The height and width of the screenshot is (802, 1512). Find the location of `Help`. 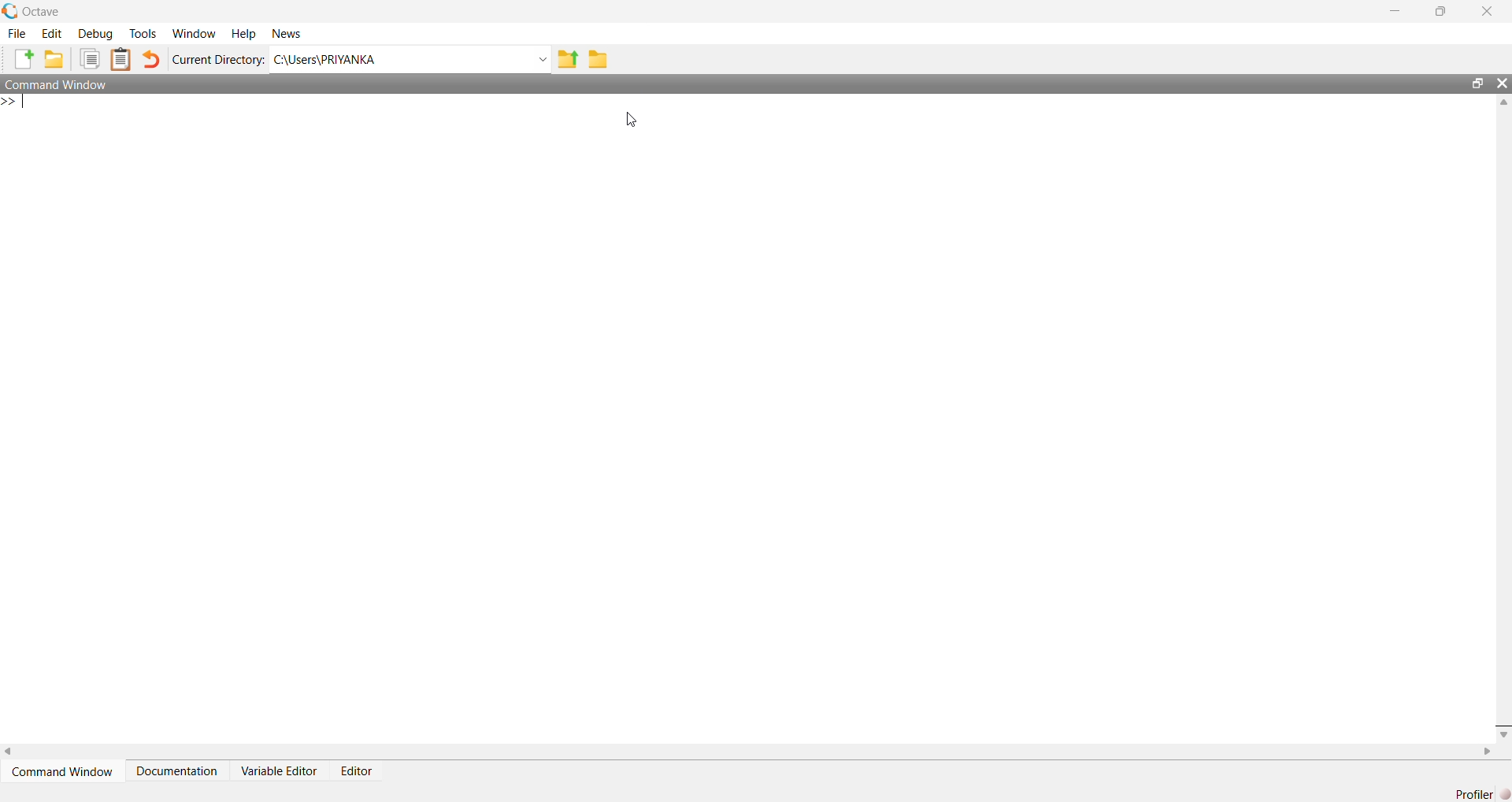

Help is located at coordinates (243, 35).